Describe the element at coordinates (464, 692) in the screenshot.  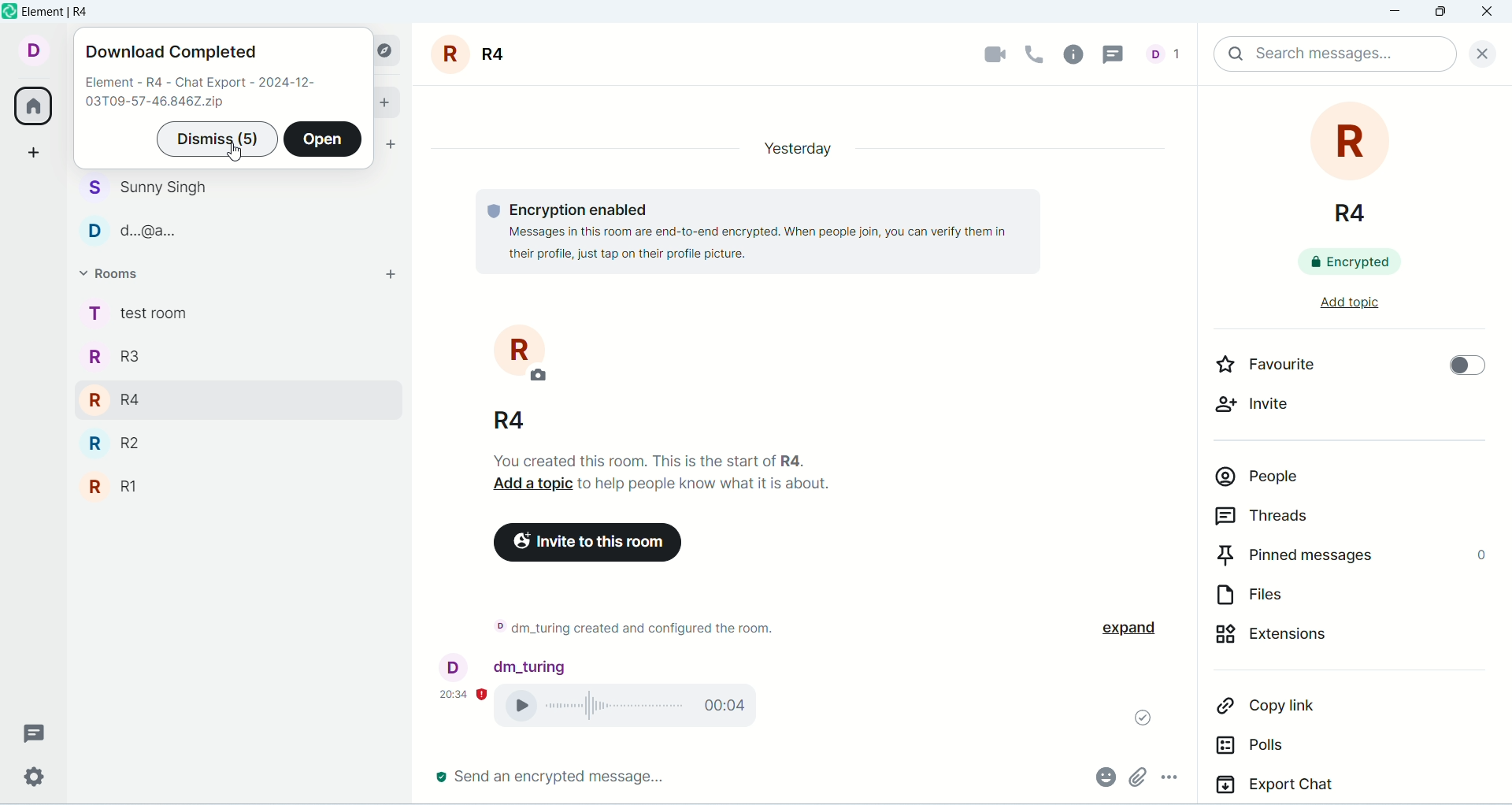
I see `time` at that location.